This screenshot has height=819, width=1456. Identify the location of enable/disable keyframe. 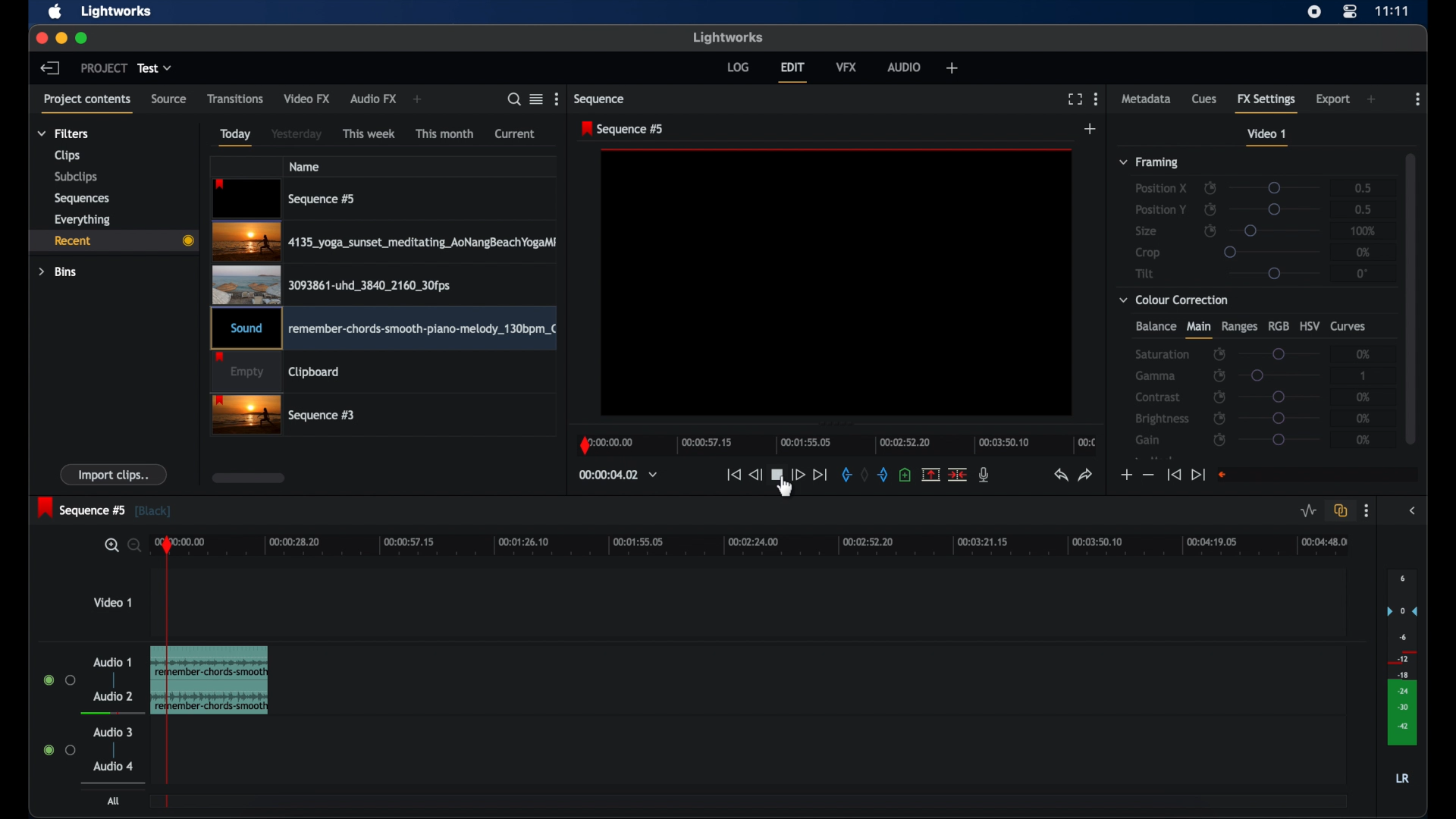
(1210, 230).